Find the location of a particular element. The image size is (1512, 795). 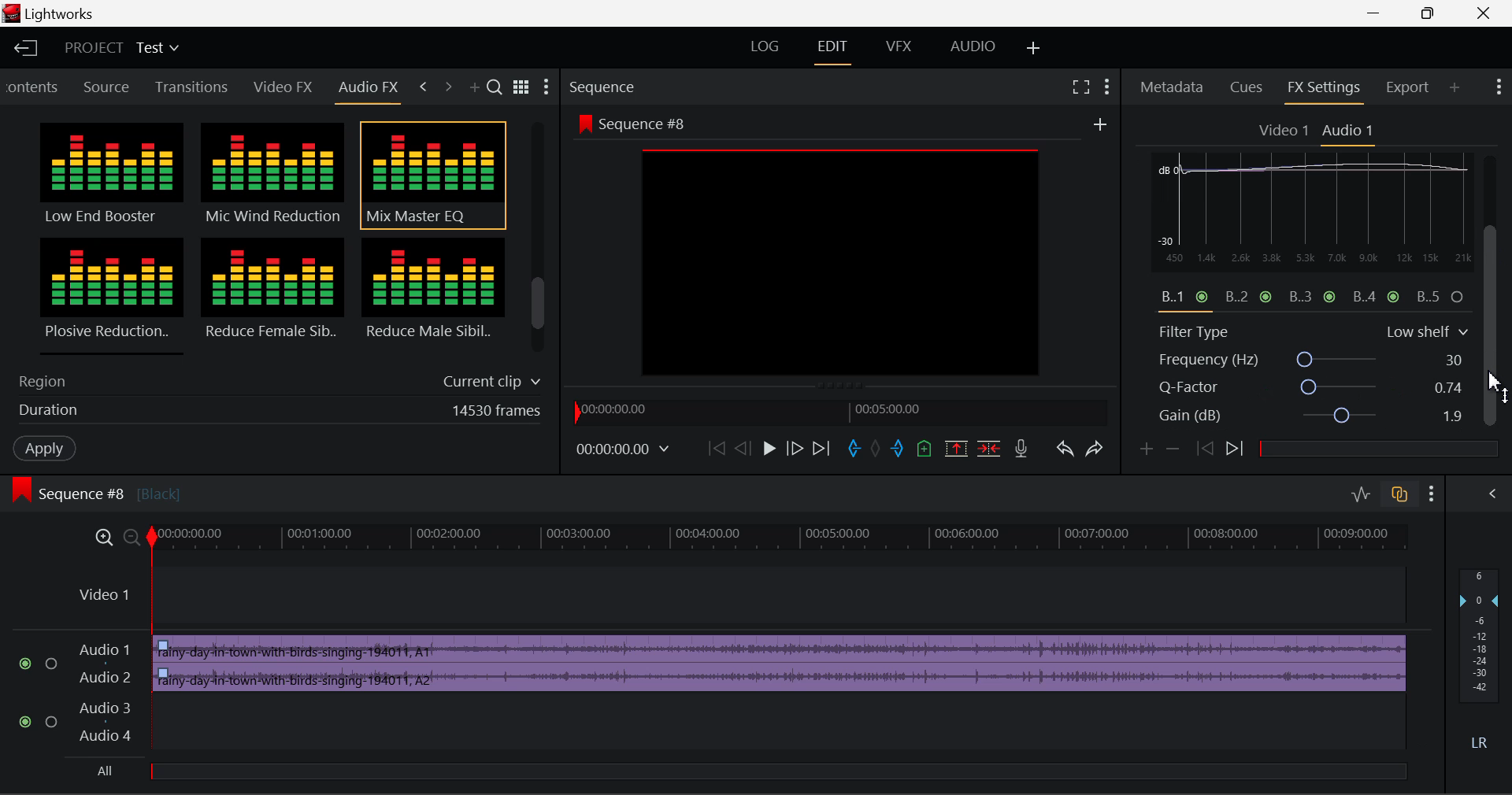

Project Timeline Navigator is located at coordinates (838, 411).